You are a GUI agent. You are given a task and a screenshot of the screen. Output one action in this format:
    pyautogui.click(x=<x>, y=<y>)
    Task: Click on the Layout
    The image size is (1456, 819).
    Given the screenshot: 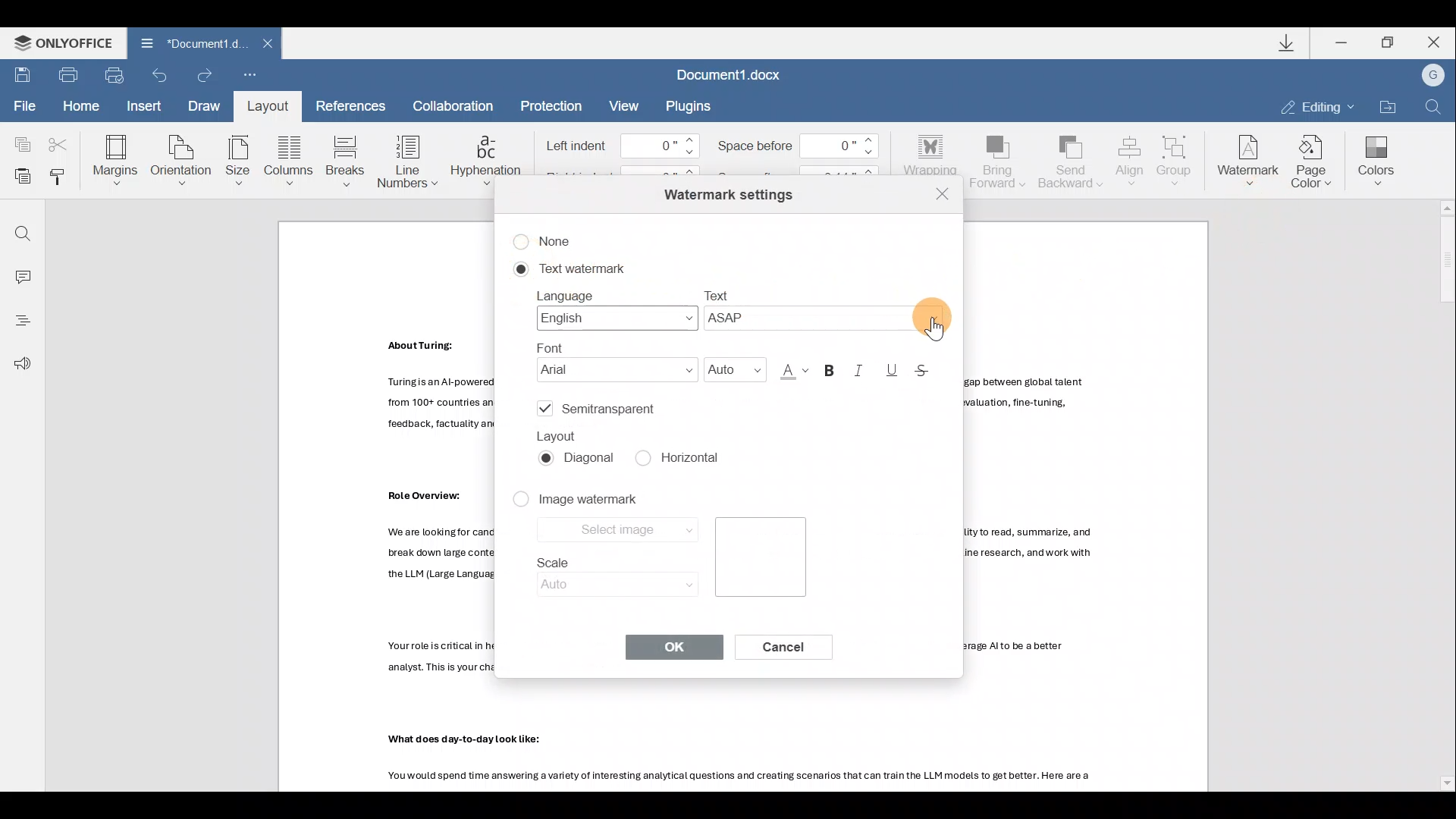 What is the action you would take?
    pyautogui.click(x=561, y=435)
    